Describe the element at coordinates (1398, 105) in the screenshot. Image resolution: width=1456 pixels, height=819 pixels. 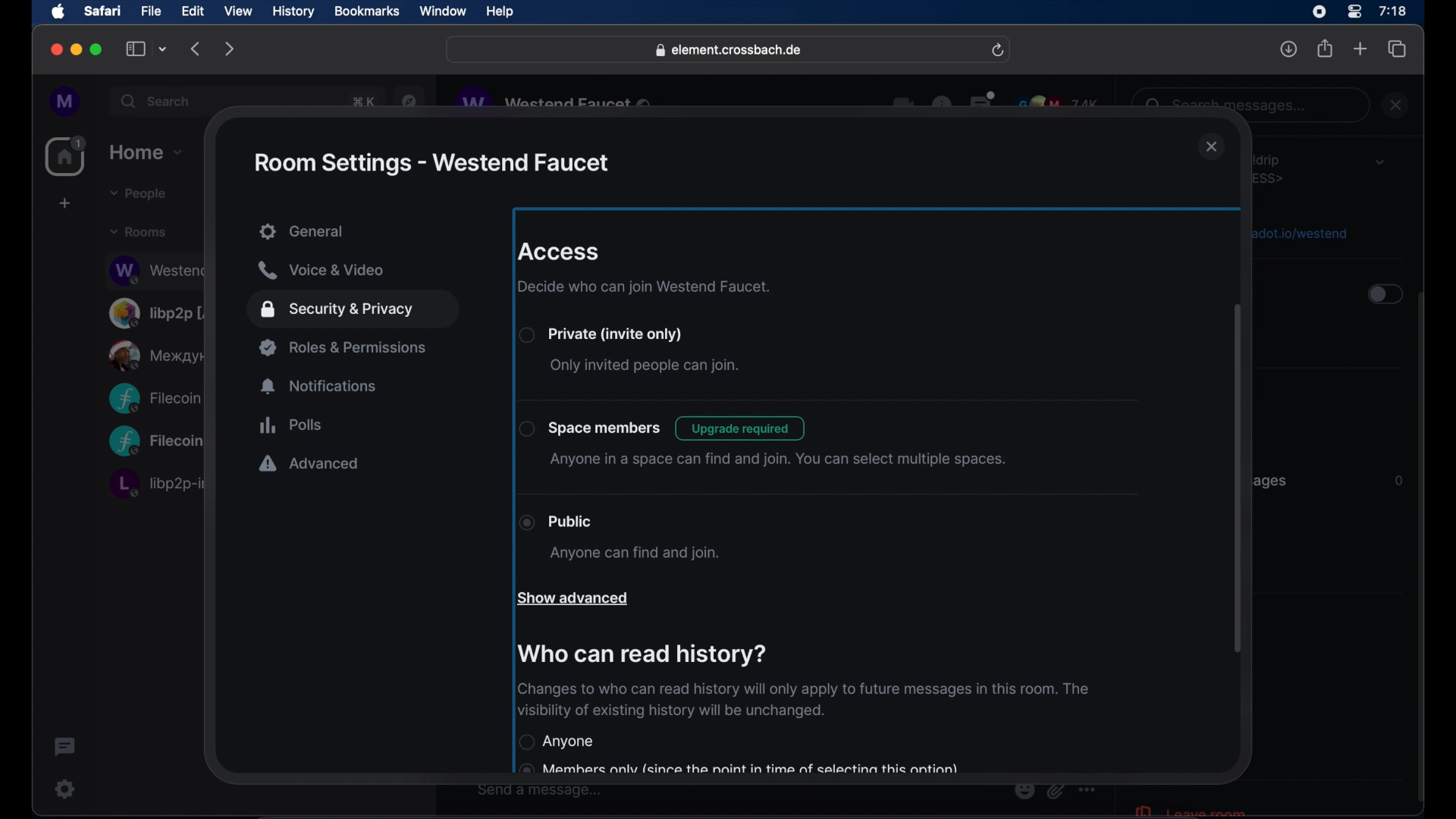
I see `close` at that location.